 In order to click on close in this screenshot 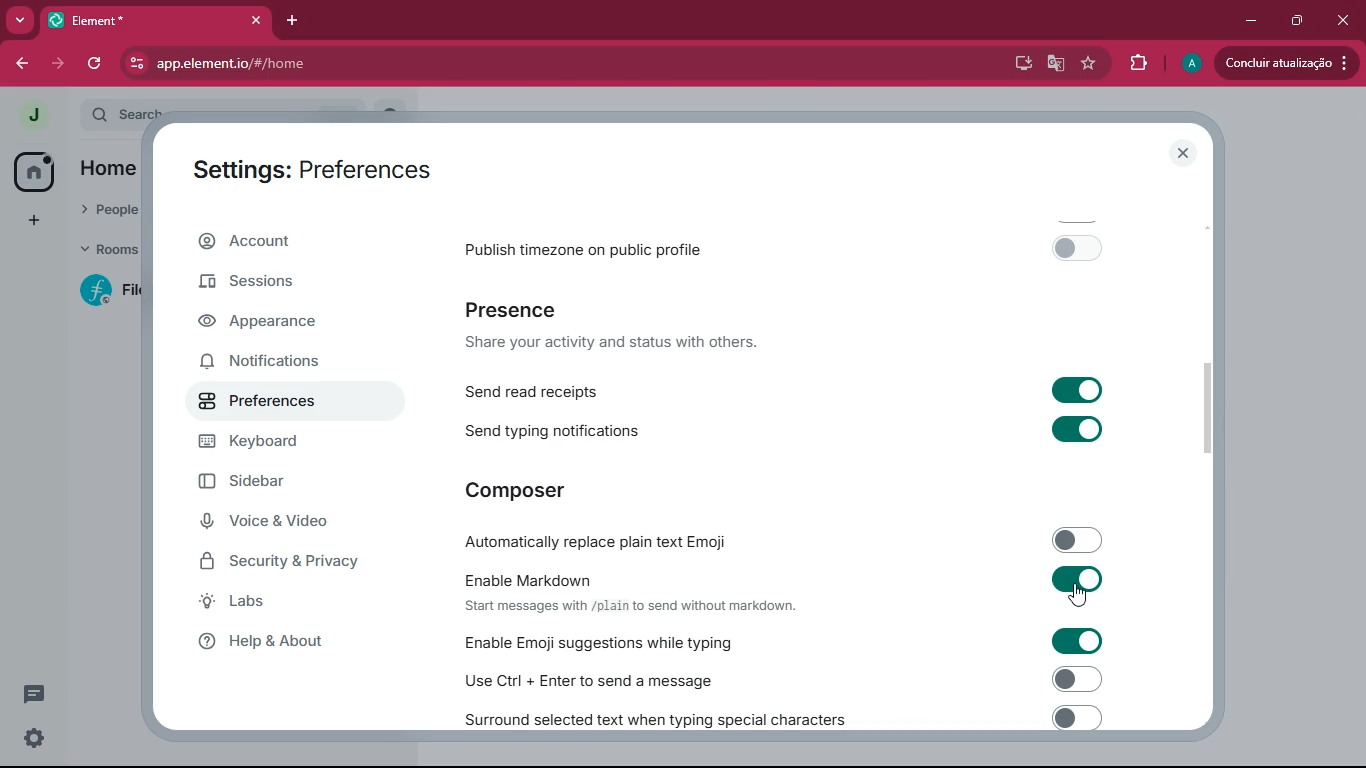, I will do `click(1341, 20)`.